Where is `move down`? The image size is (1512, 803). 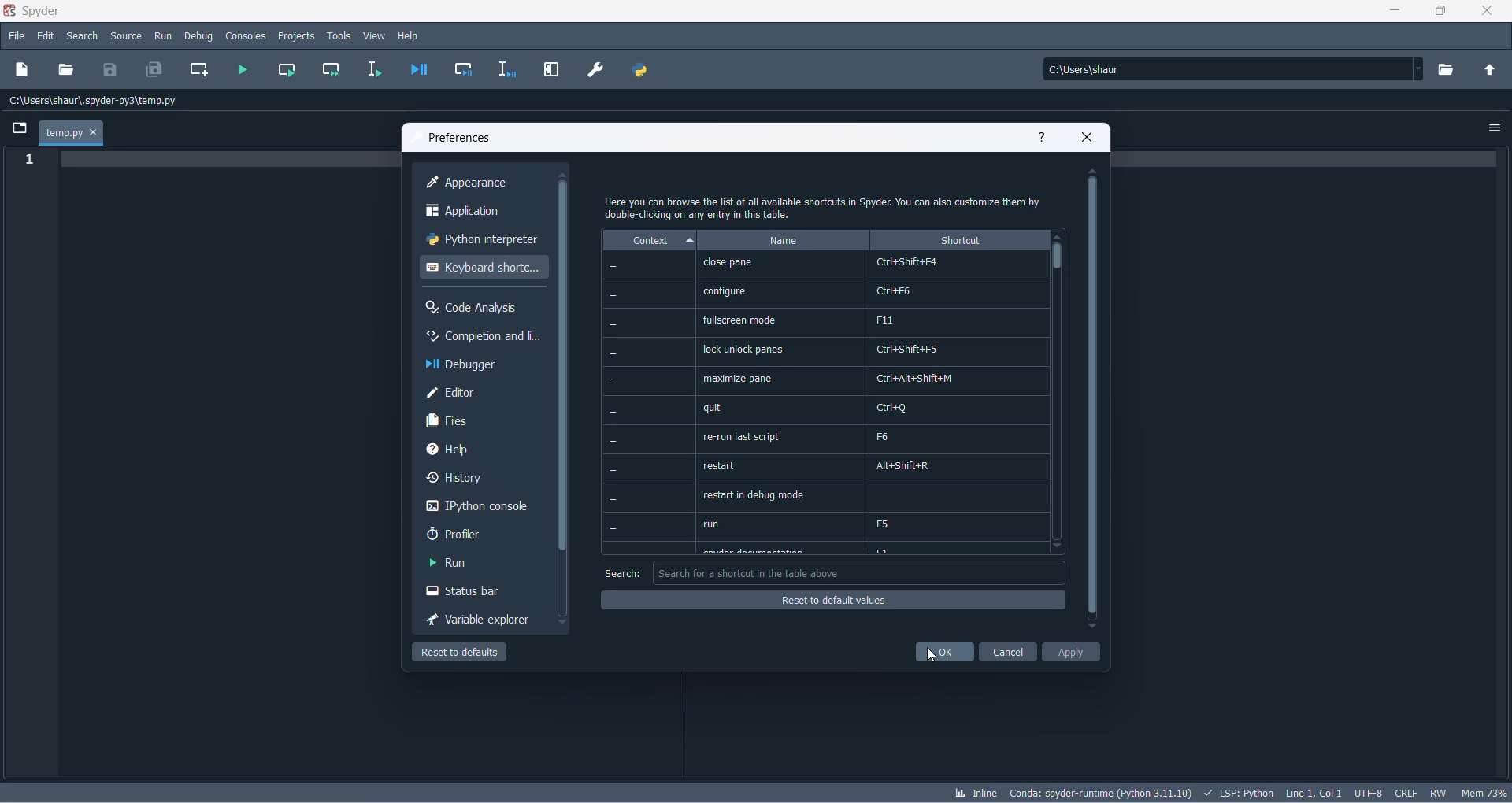 move down is located at coordinates (1059, 549).